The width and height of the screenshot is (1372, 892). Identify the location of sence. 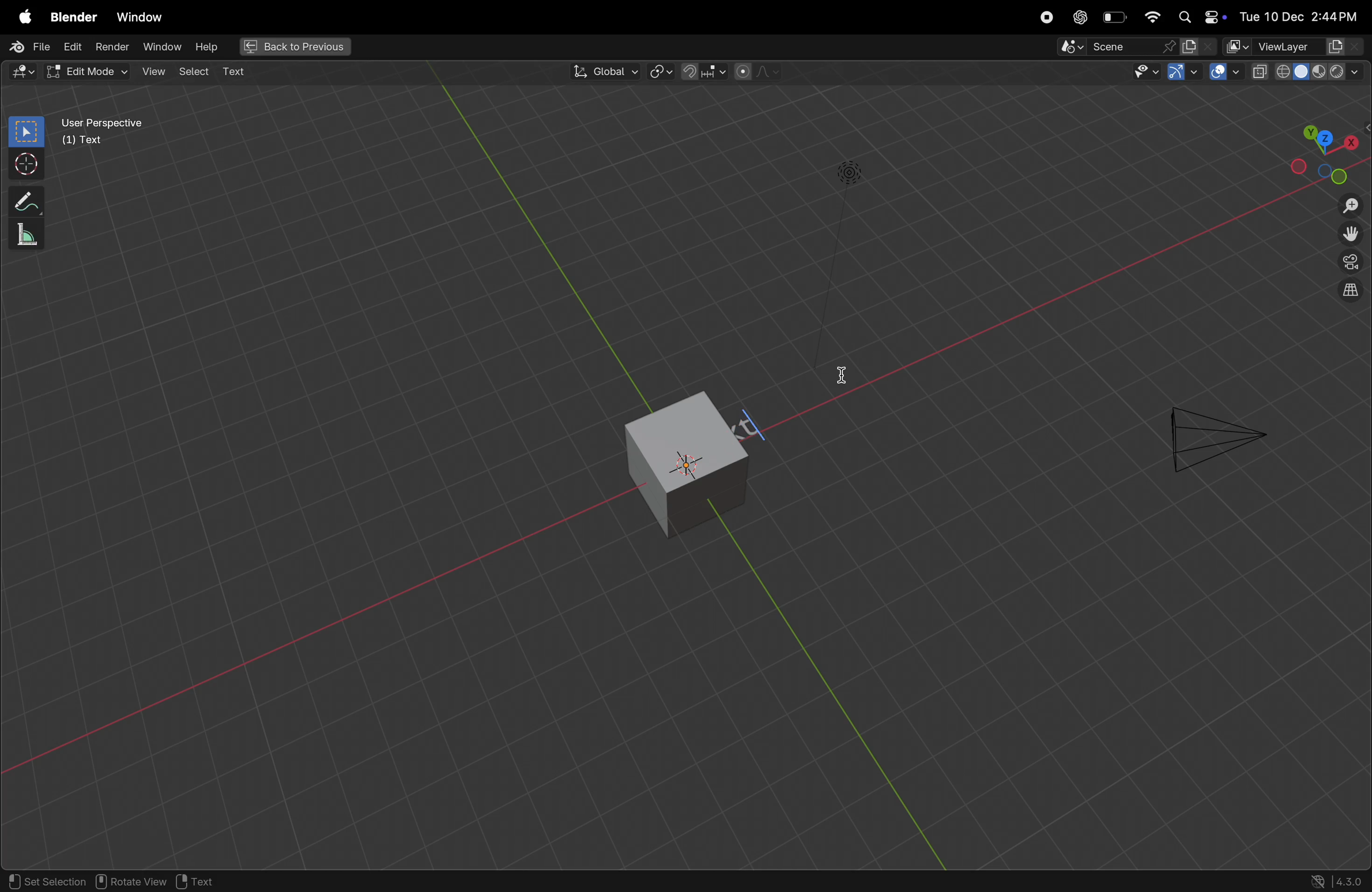
(1108, 48).